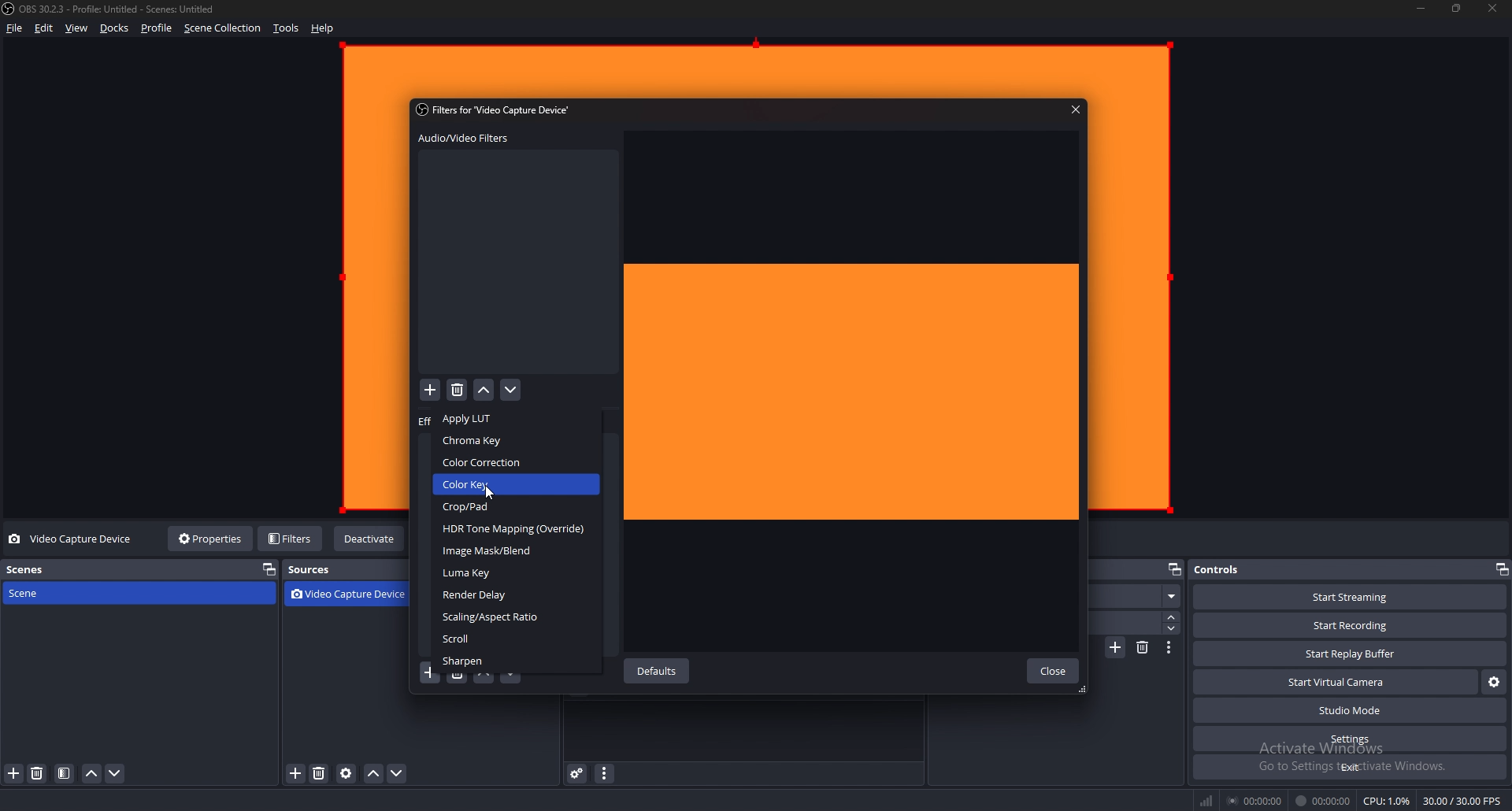  Describe the element at coordinates (1463, 800) in the screenshot. I see `30.00 / 30.00 FPS` at that location.